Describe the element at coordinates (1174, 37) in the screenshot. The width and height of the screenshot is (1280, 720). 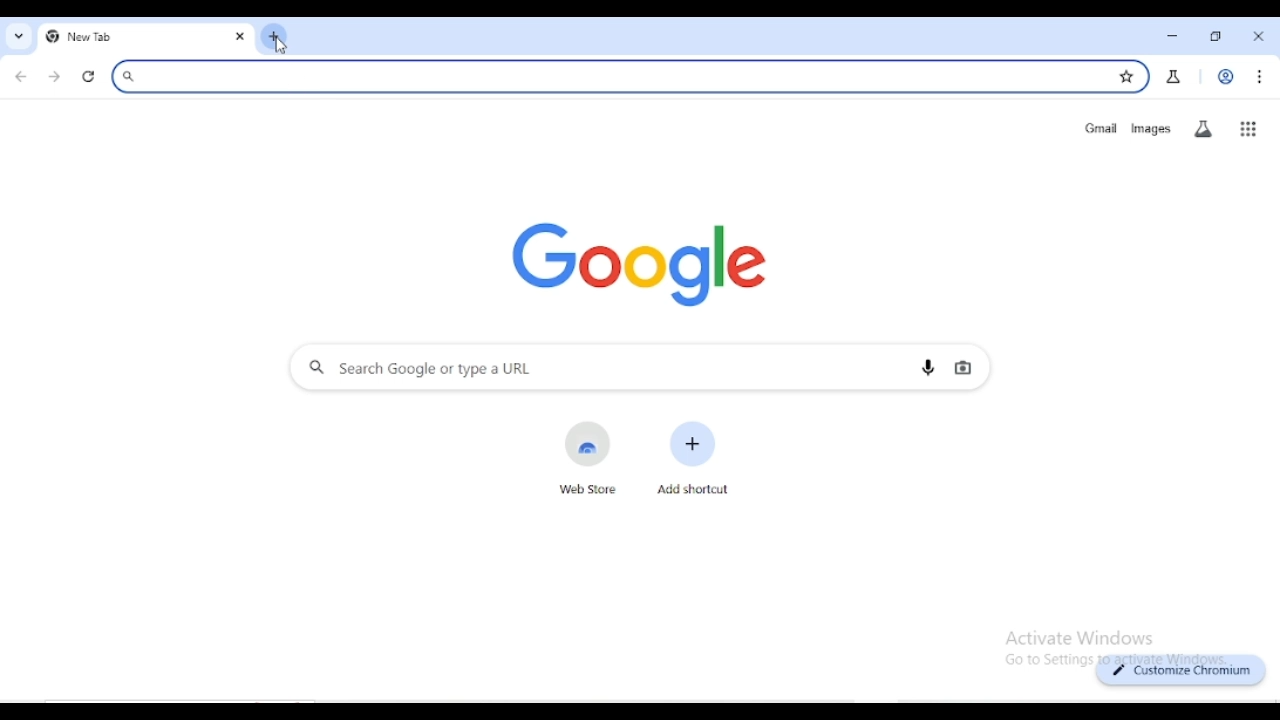
I see `minimize` at that location.